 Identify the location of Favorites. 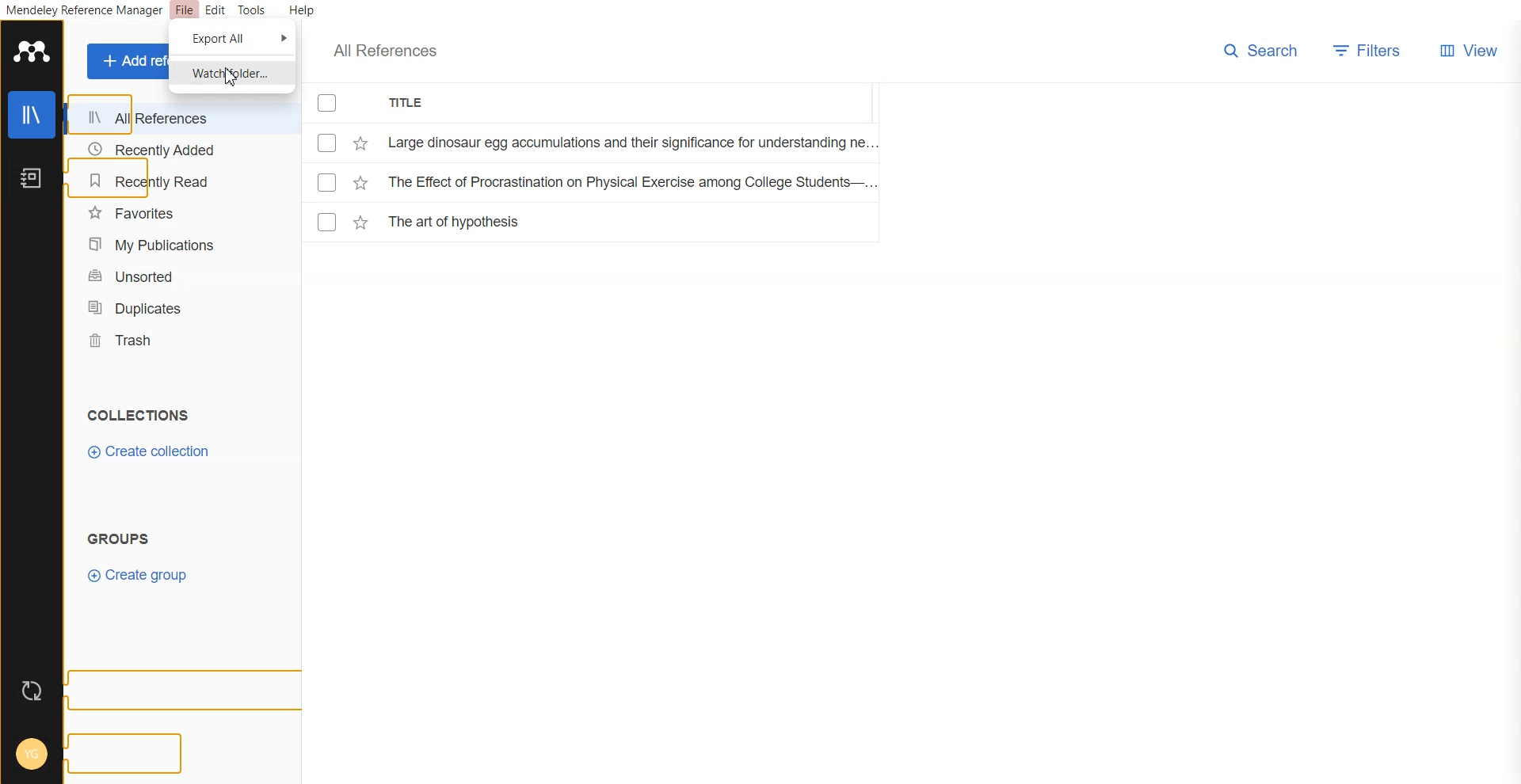
(169, 214).